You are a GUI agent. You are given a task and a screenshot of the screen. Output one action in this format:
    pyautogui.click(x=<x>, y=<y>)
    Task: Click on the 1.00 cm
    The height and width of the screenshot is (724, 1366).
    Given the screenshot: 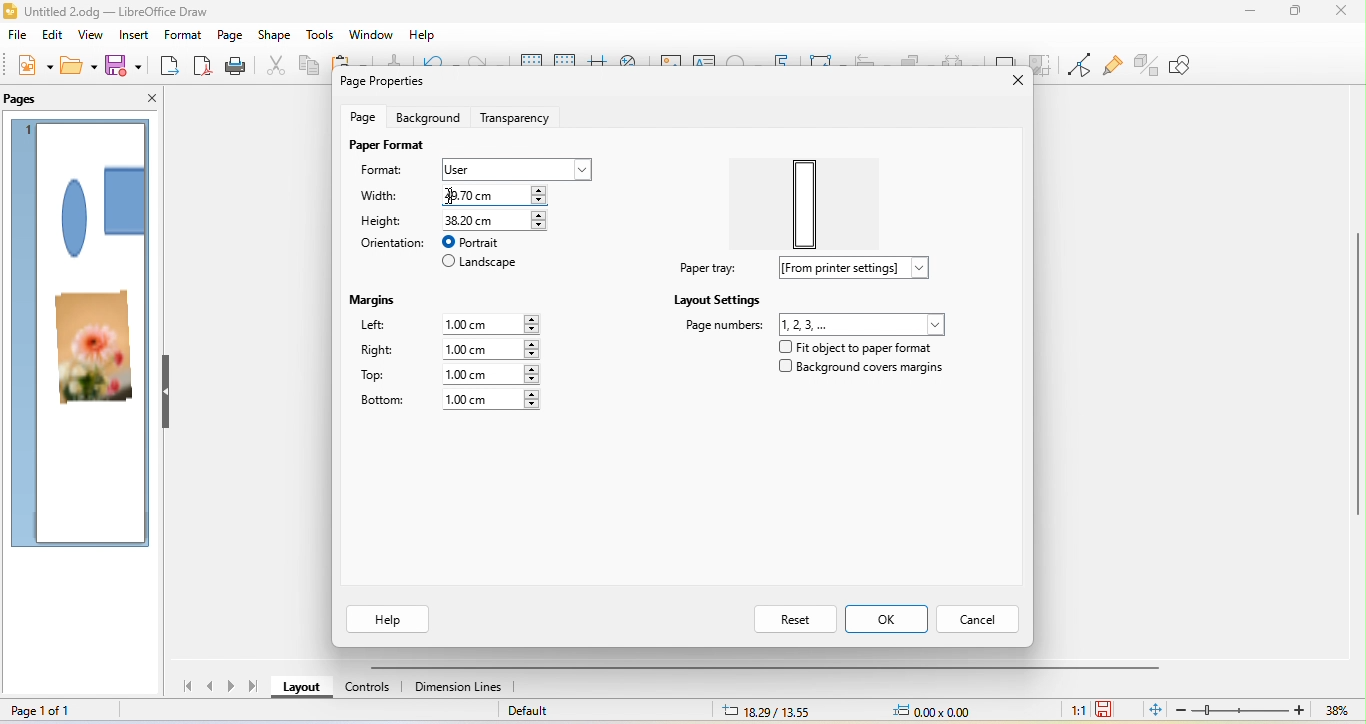 What is the action you would take?
    pyautogui.click(x=491, y=349)
    